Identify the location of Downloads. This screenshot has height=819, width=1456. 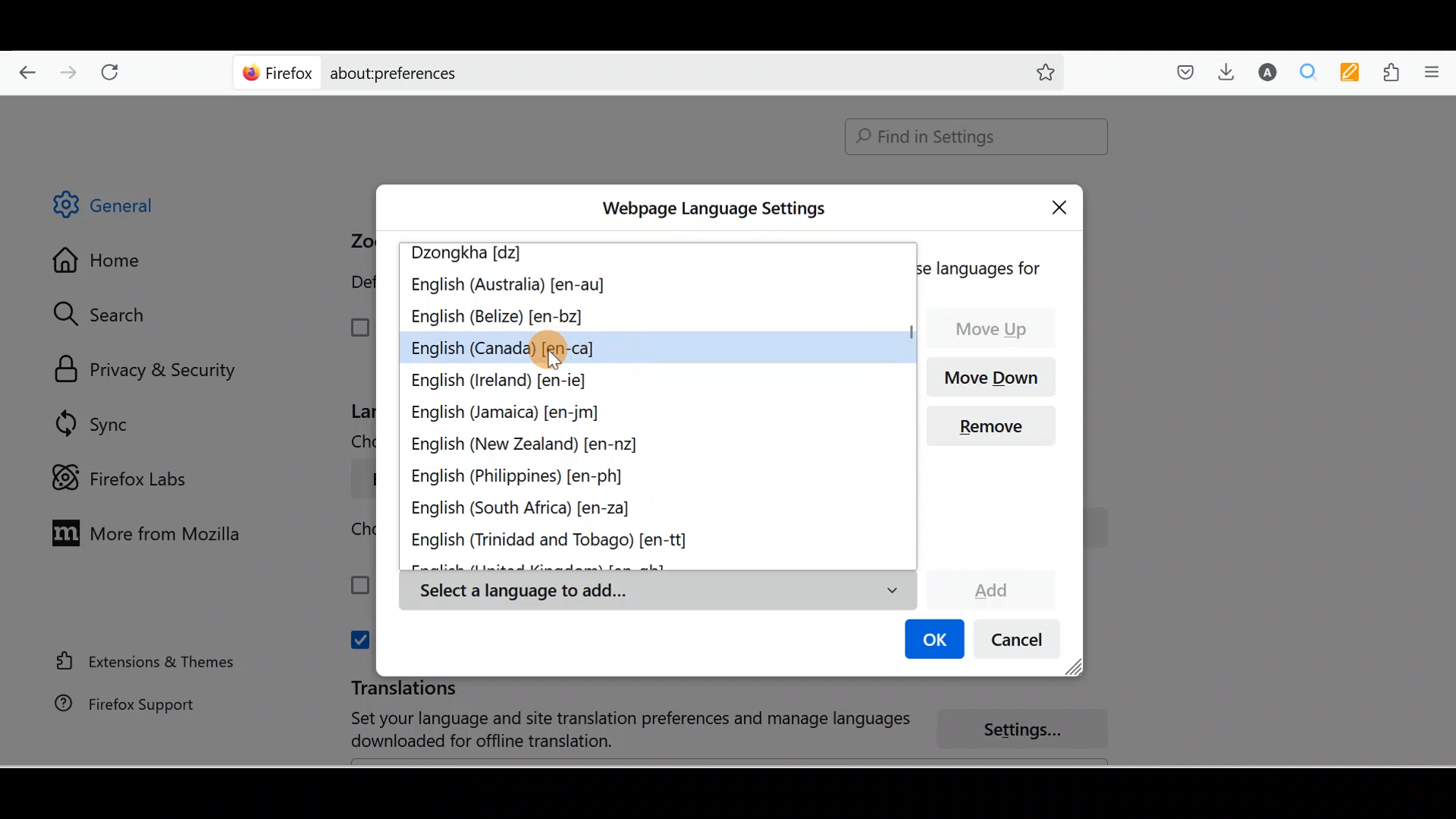
(1222, 71).